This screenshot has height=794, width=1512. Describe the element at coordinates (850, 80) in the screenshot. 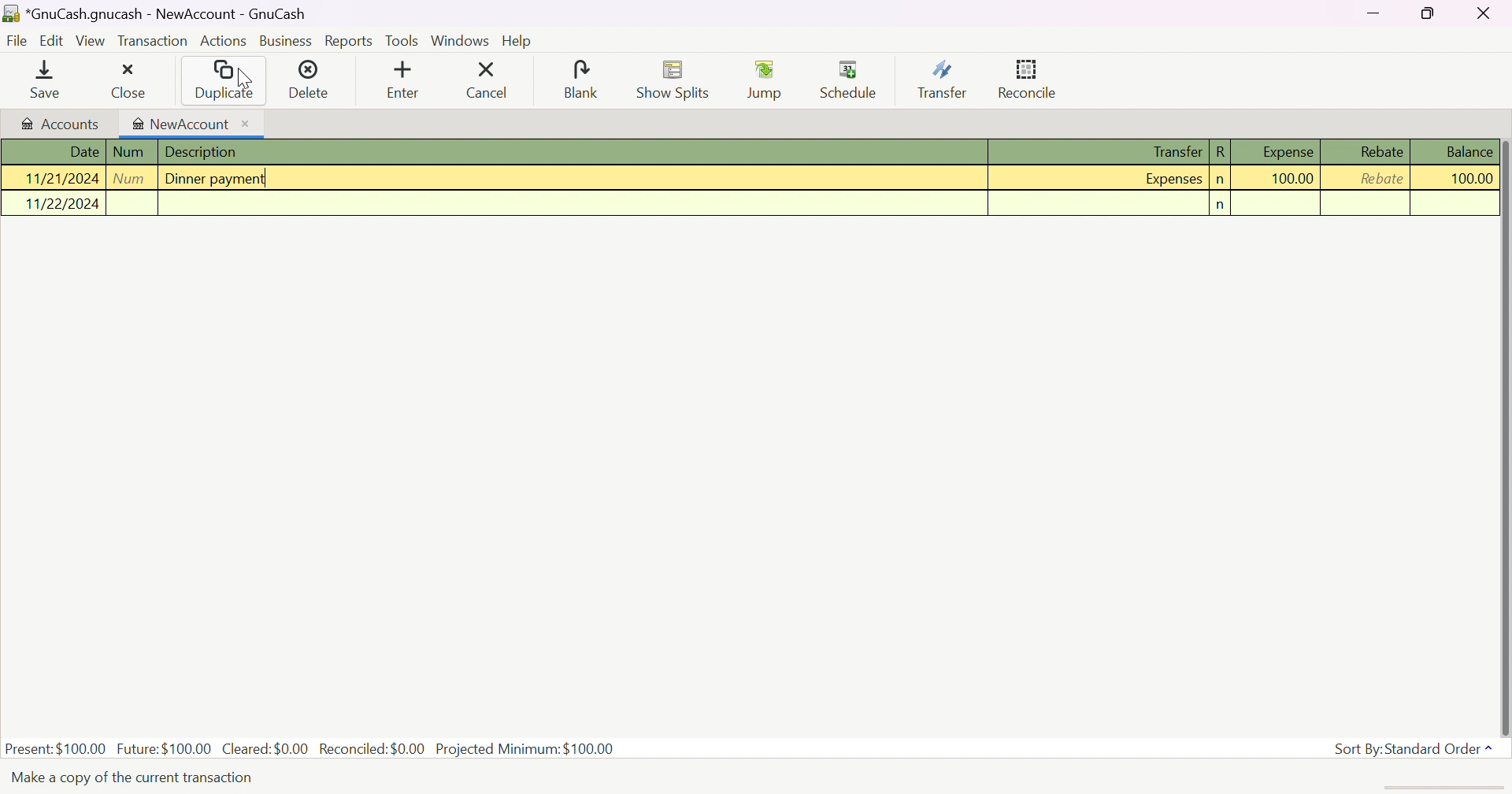

I see `Schedule` at that location.